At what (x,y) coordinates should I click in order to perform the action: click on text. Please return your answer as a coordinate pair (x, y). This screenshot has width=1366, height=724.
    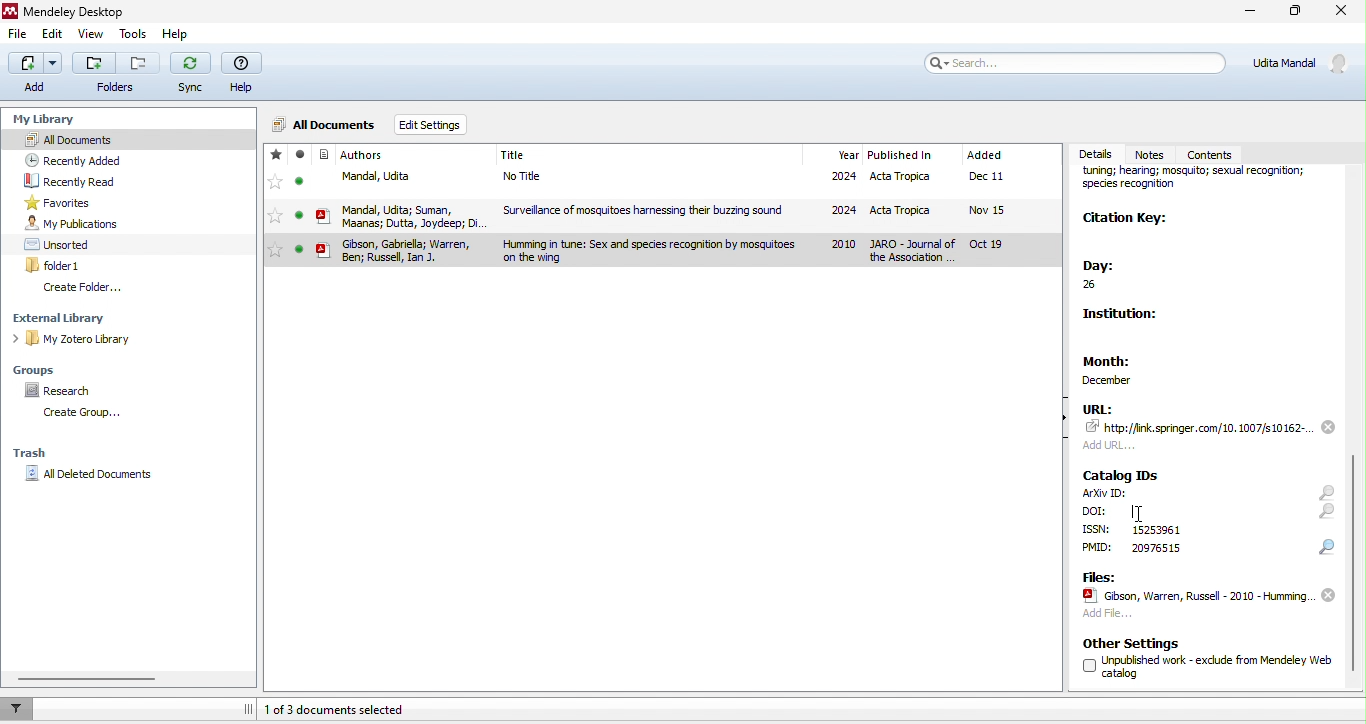
    Looking at the image, I should click on (1096, 511).